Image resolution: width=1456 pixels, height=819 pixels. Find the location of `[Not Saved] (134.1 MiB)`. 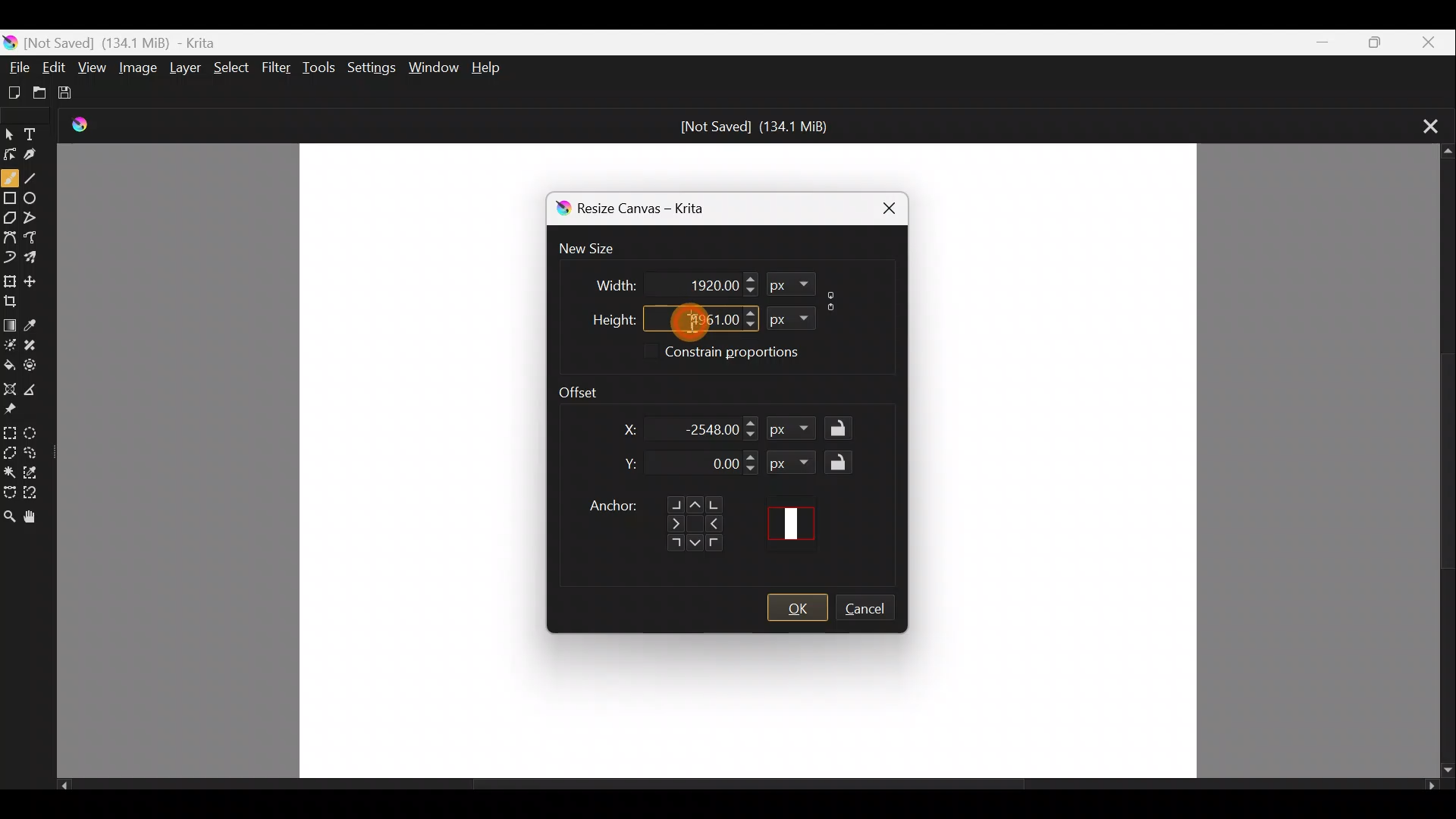

[Not Saved] (134.1 MiB) is located at coordinates (755, 127).